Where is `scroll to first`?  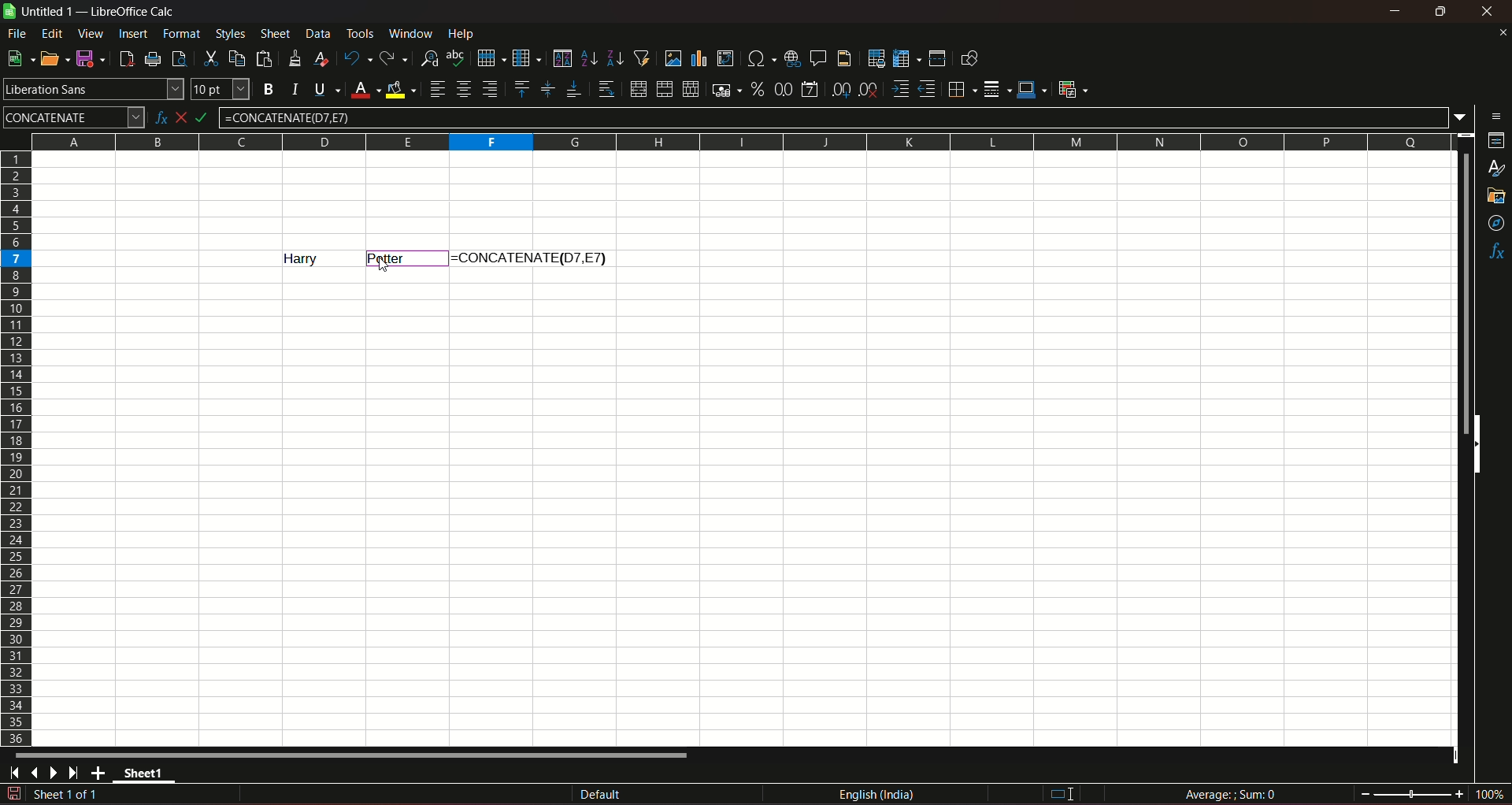
scroll to first is located at coordinates (9, 775).